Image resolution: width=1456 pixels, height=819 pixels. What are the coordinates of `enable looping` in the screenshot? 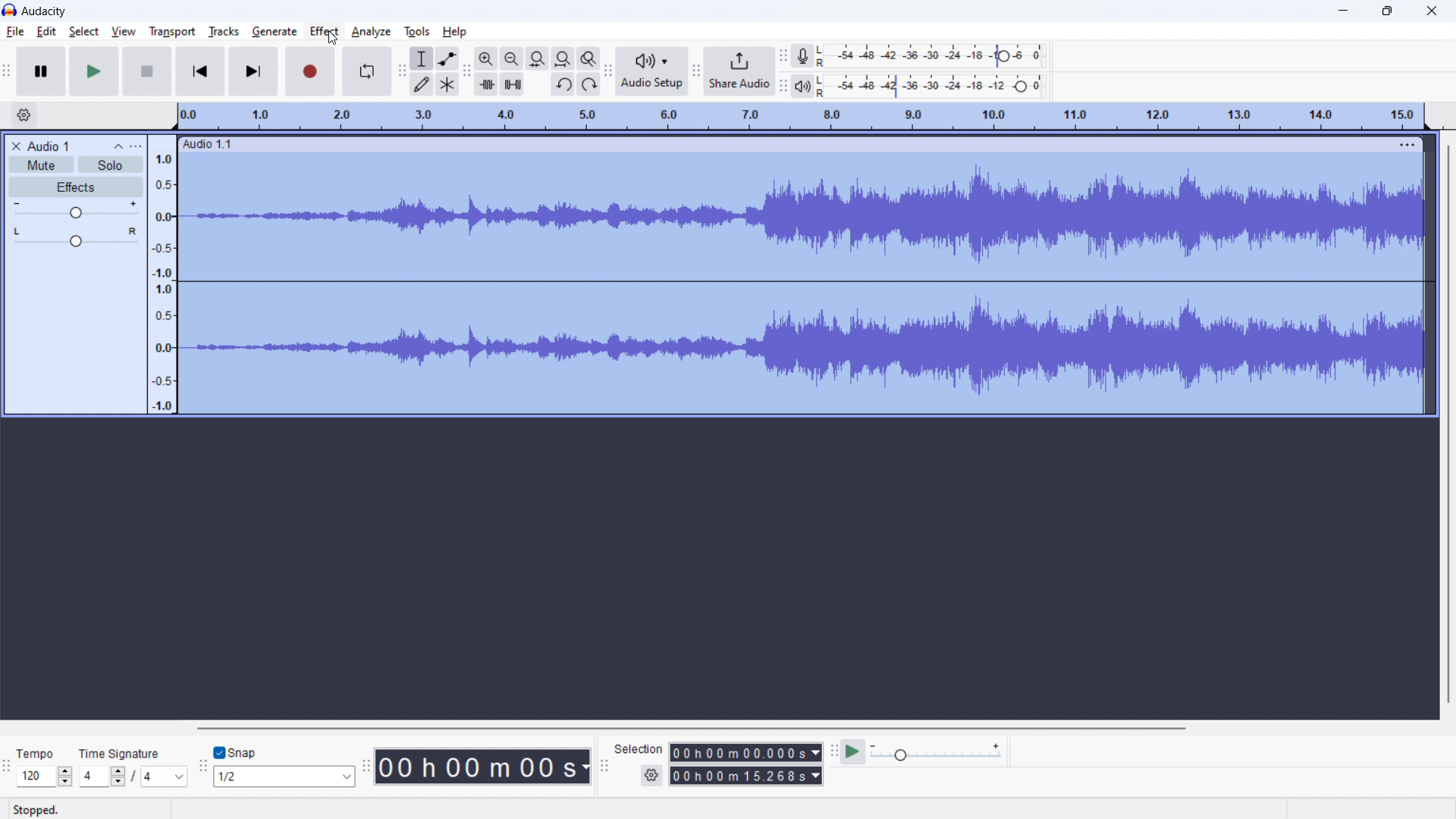 It's located at (366, 71).